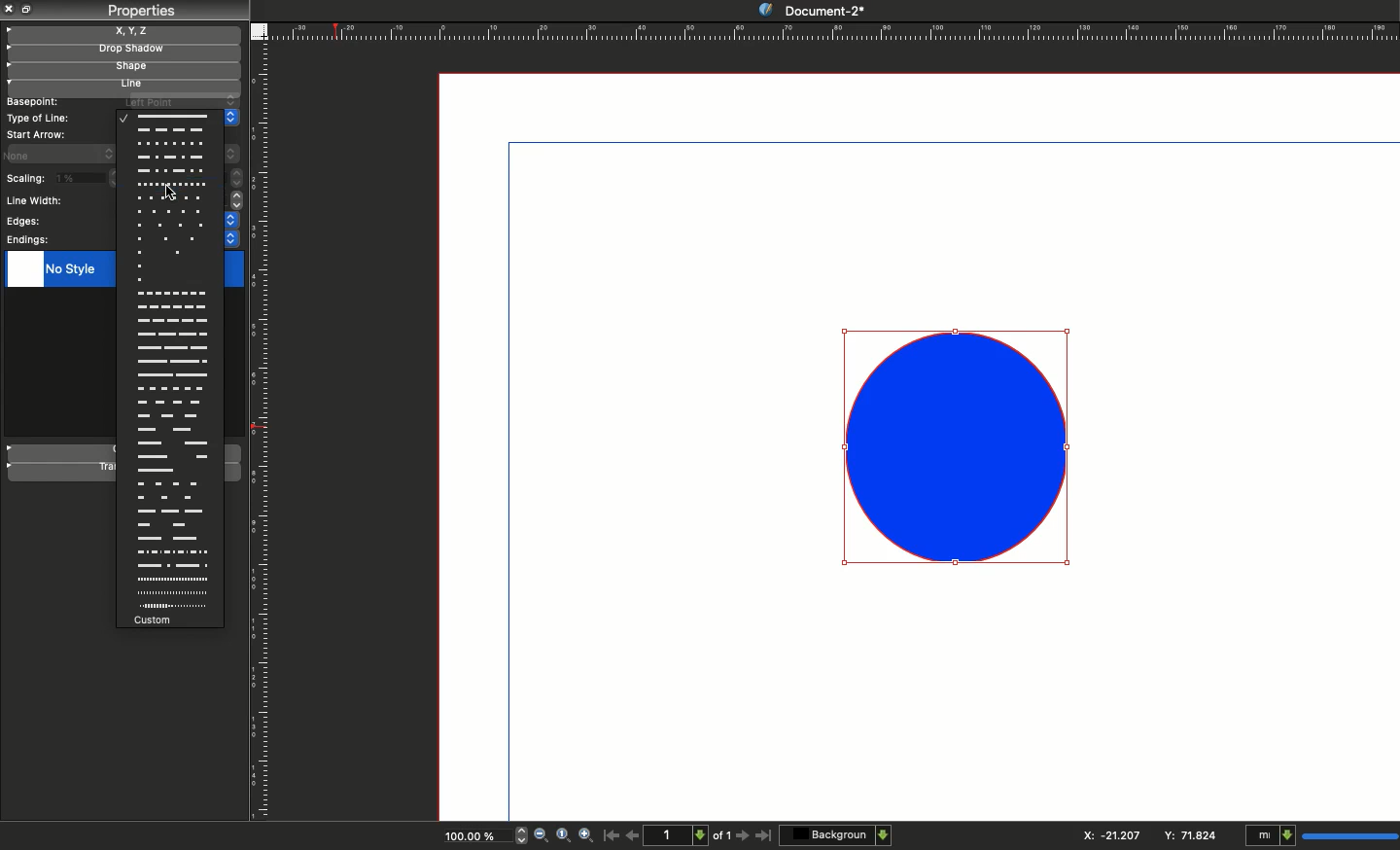  I want to click on Custom, so click(168, 620).